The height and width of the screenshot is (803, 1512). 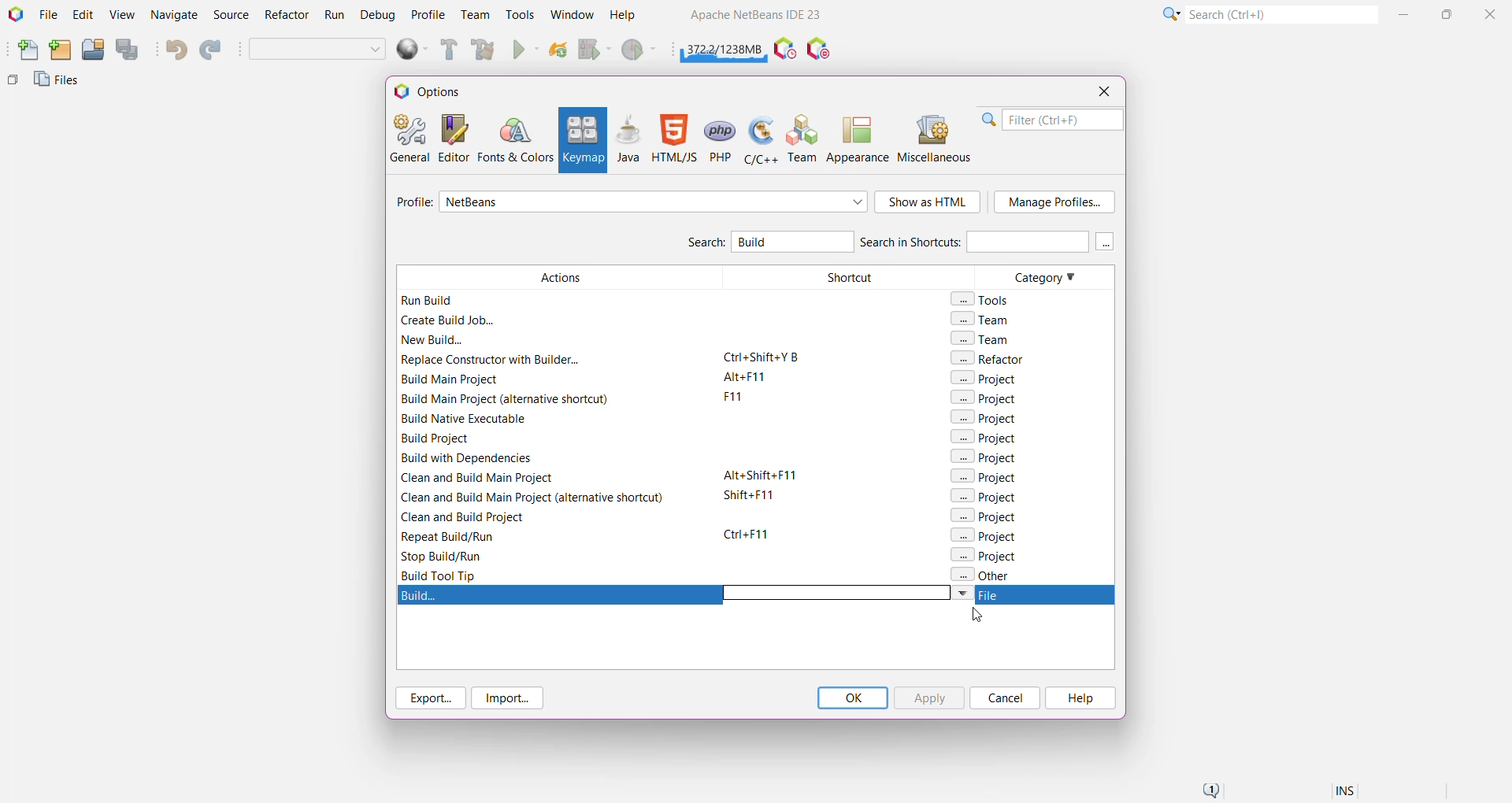 I want to click on Save All, so click(x=128, y=50).